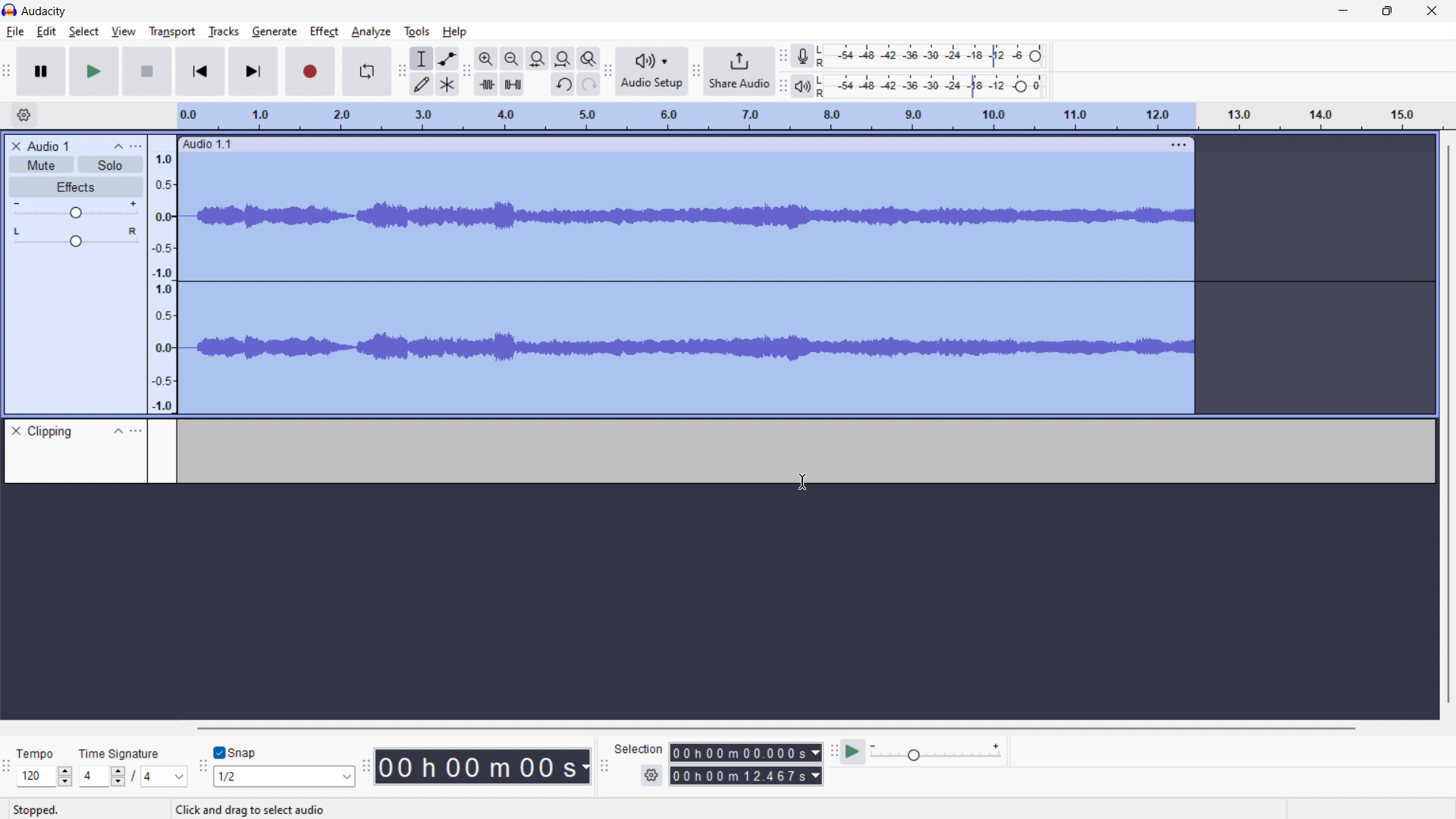 The height and width of the screenshot is (819, 1456). What do you see at coordinates (118, 430) in the screenshot?
I see `collapse` at bounding box center [118, 430].